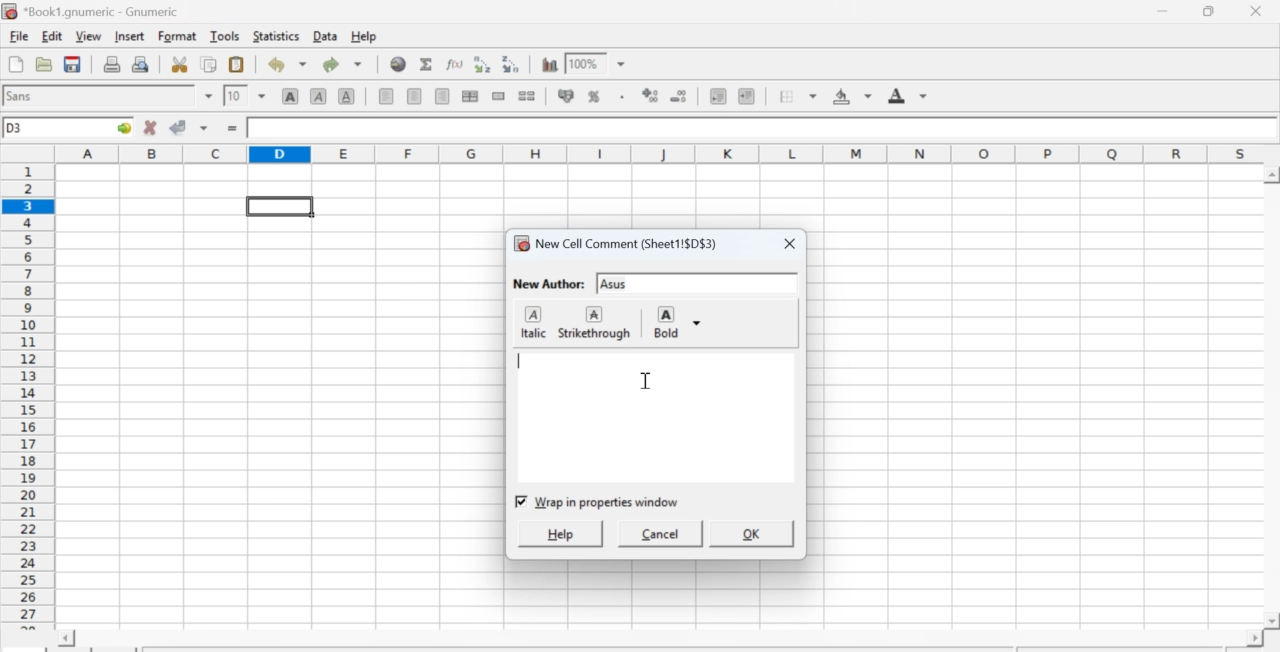 The height and width of the screenshot is (652, 1280). I want to click on New Author:, so click(549, 284).